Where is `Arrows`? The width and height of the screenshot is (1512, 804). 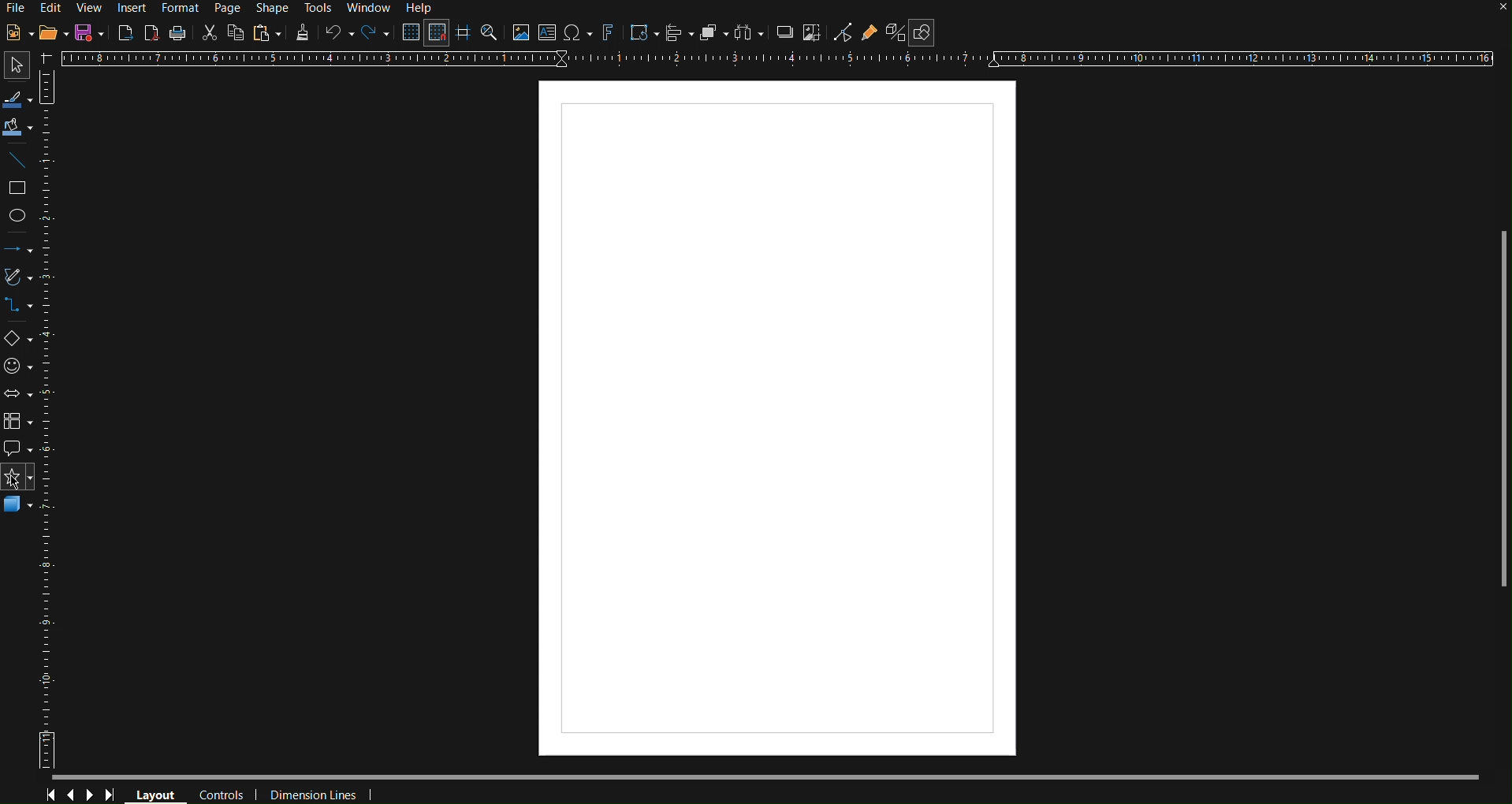 Arrows is located at coordinates (20, 253).